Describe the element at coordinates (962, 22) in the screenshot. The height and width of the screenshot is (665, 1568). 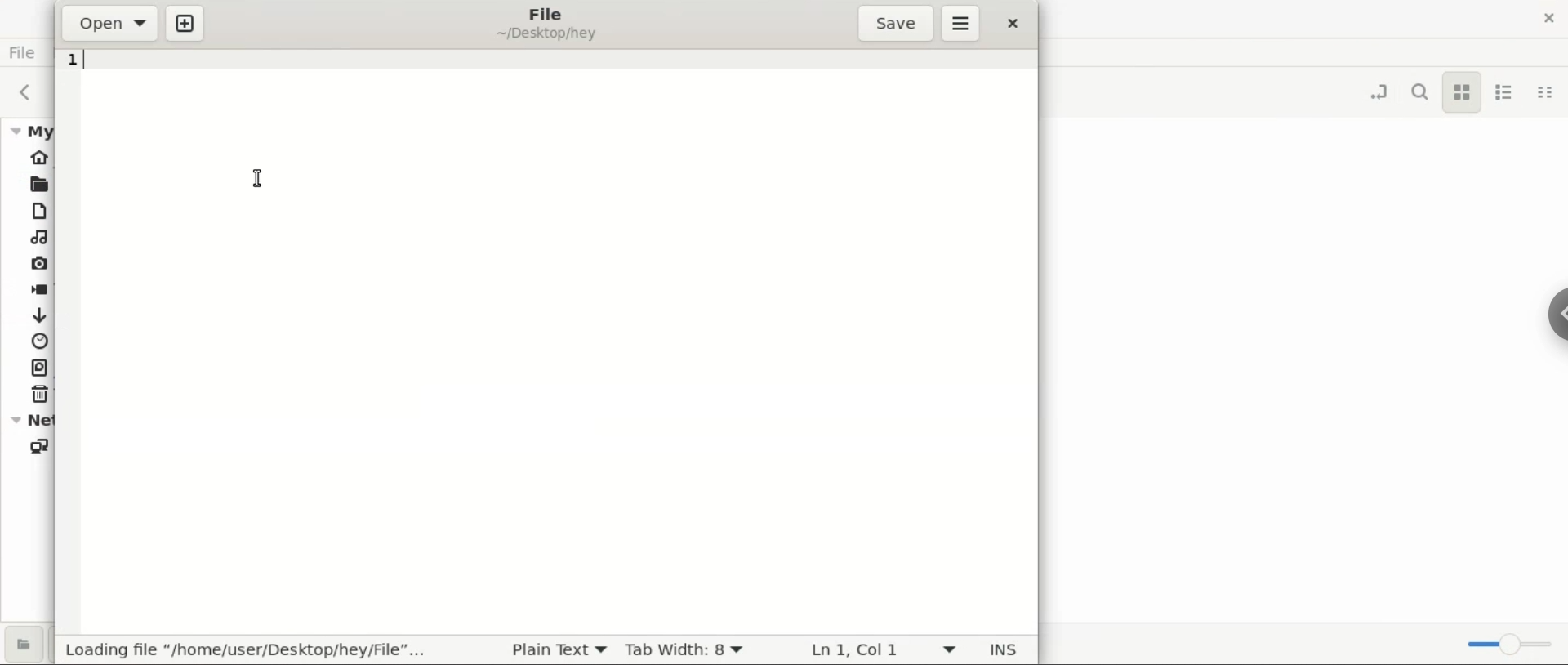
I see `more` at that location.